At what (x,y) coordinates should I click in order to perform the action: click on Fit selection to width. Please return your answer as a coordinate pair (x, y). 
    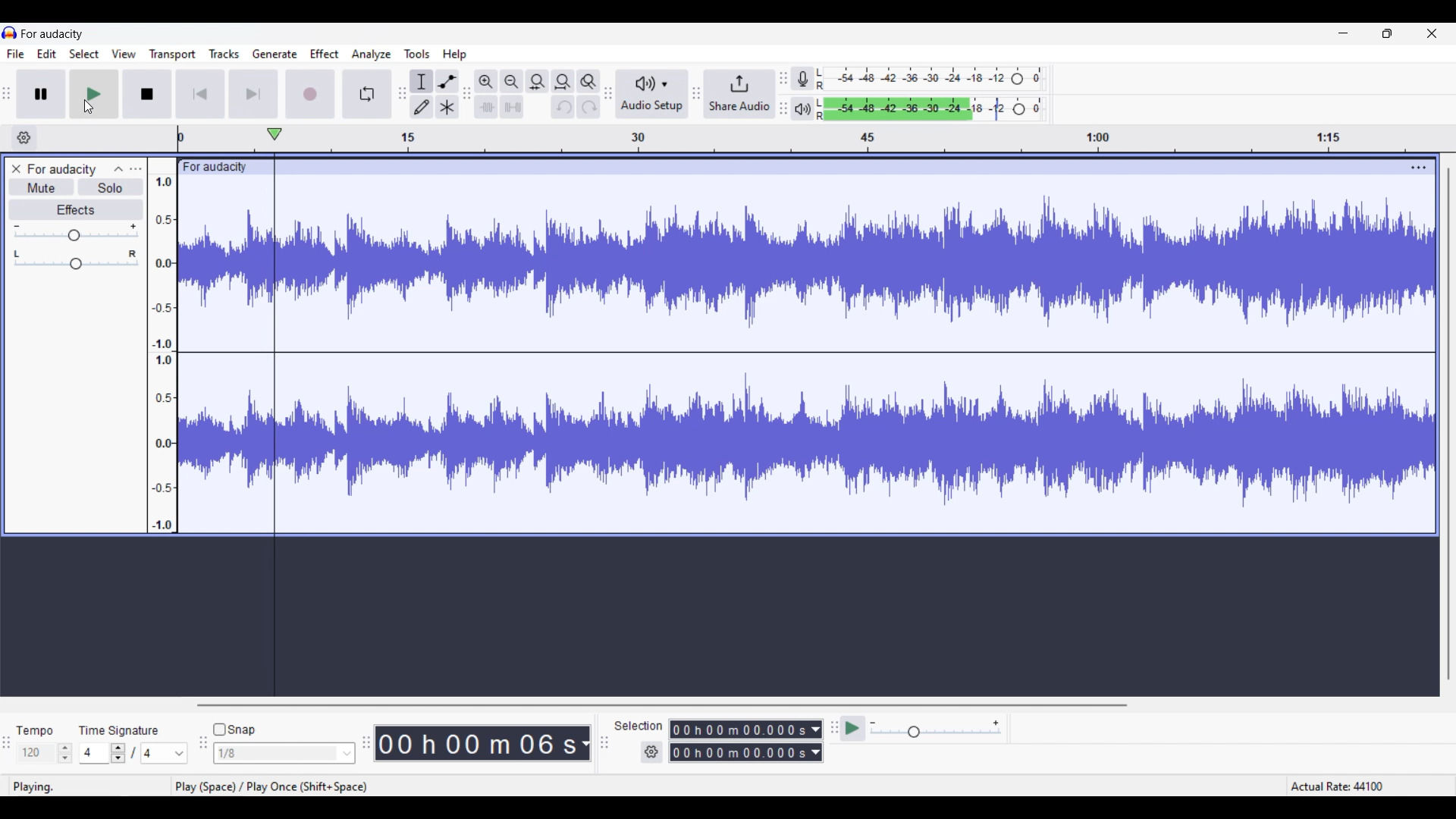
    Looking at the image, I should click on (537, 82).